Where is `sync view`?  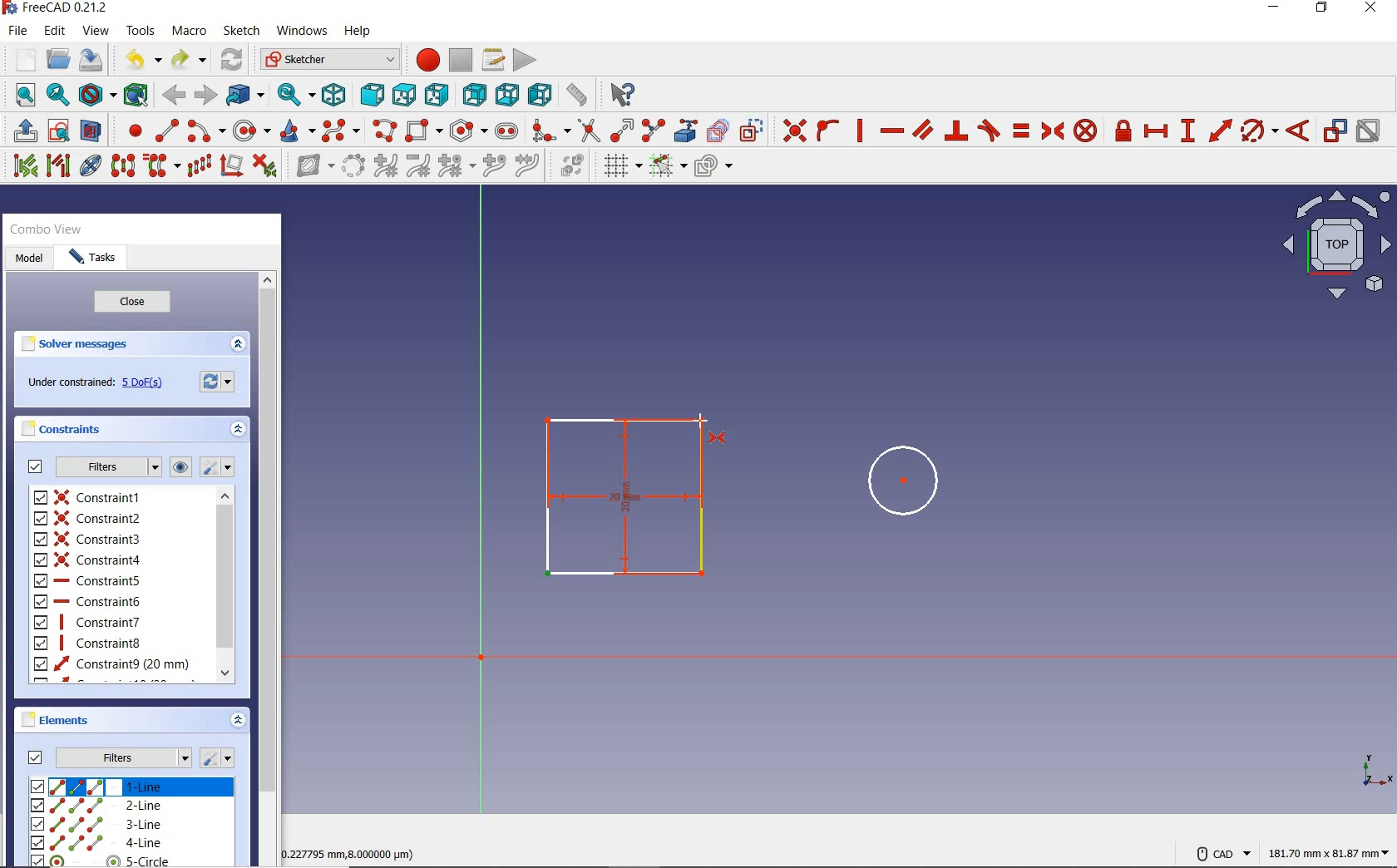
sync view is located at coordinates (295, 94).